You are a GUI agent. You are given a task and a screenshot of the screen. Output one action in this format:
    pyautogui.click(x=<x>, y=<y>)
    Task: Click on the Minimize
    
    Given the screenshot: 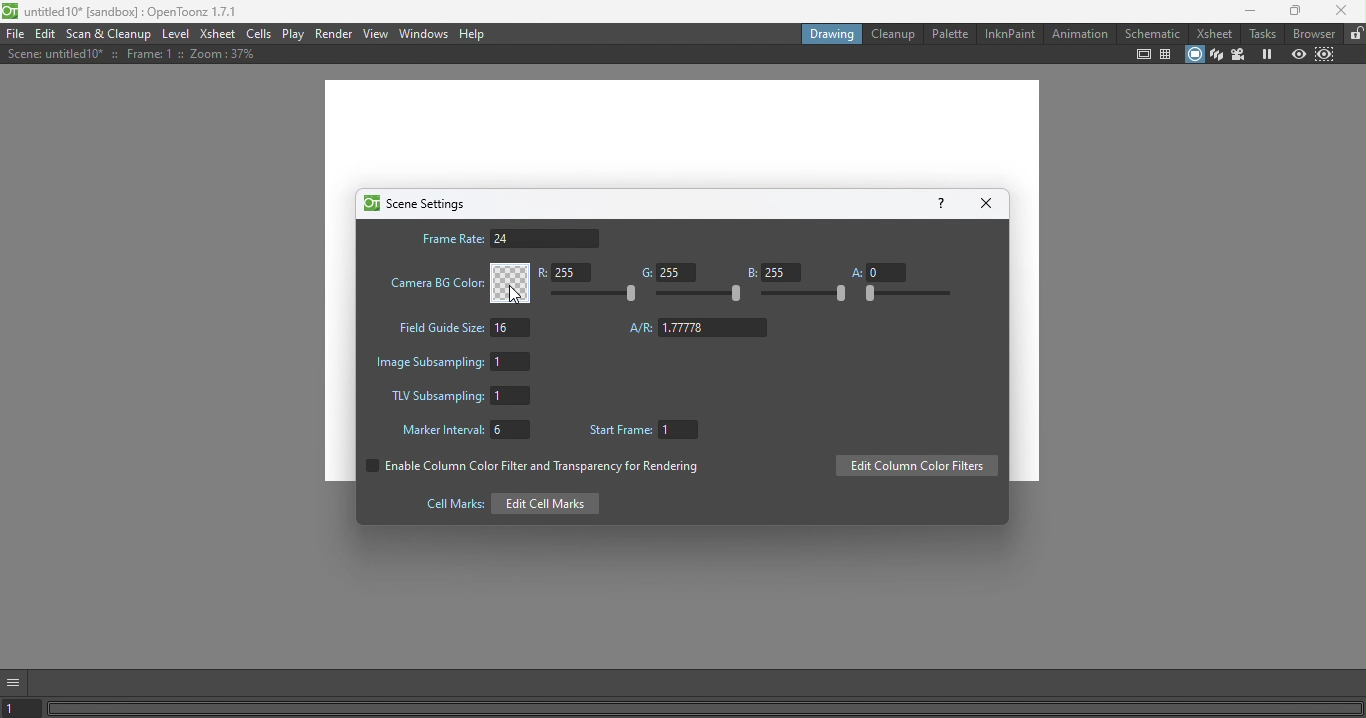 What is the action you would take?
    pyautogui.click(x=1244, y=13)
    